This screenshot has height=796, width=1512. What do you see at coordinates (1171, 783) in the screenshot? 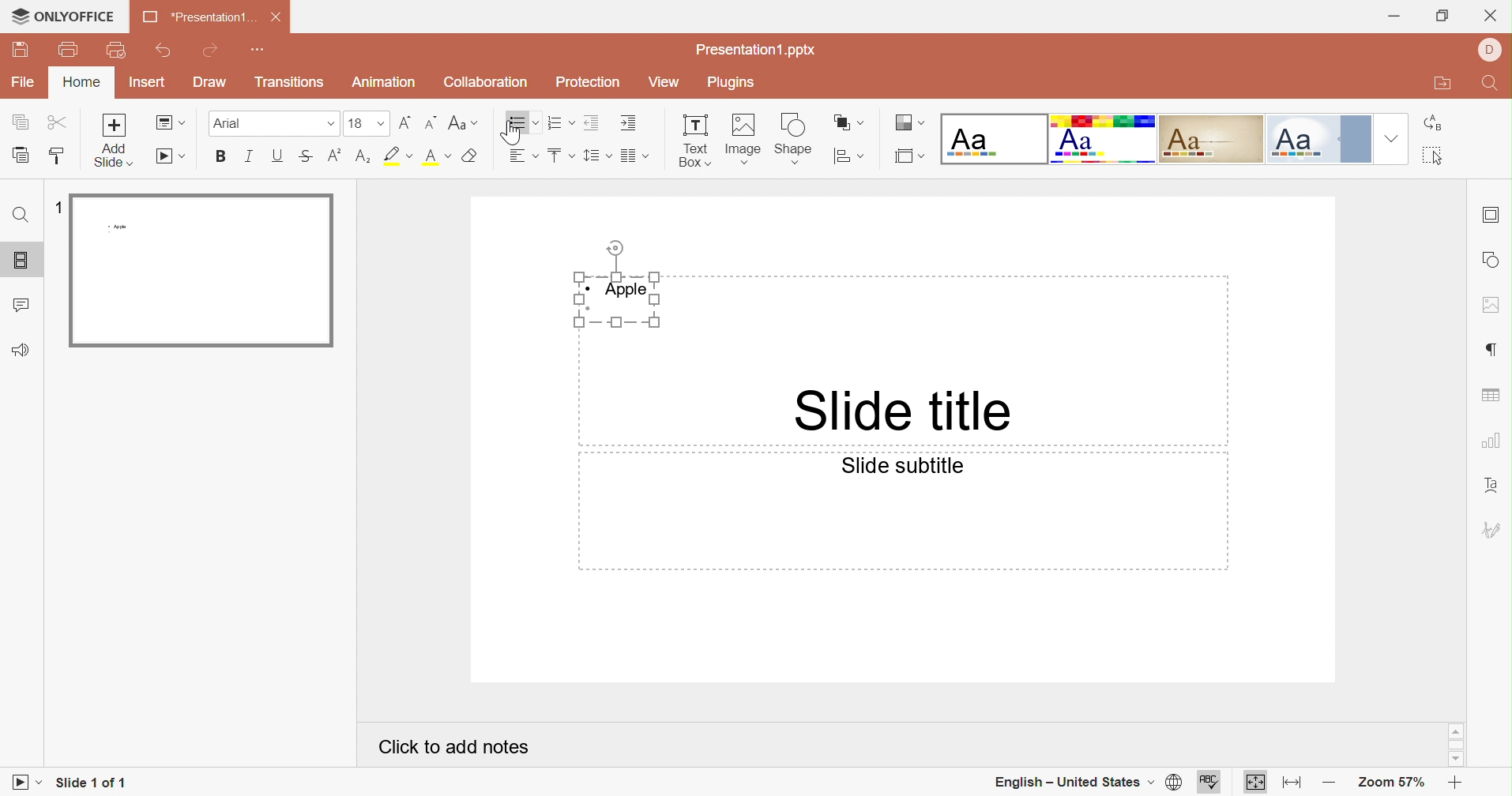
I see `set document language` at bounding box center [1171, 783].